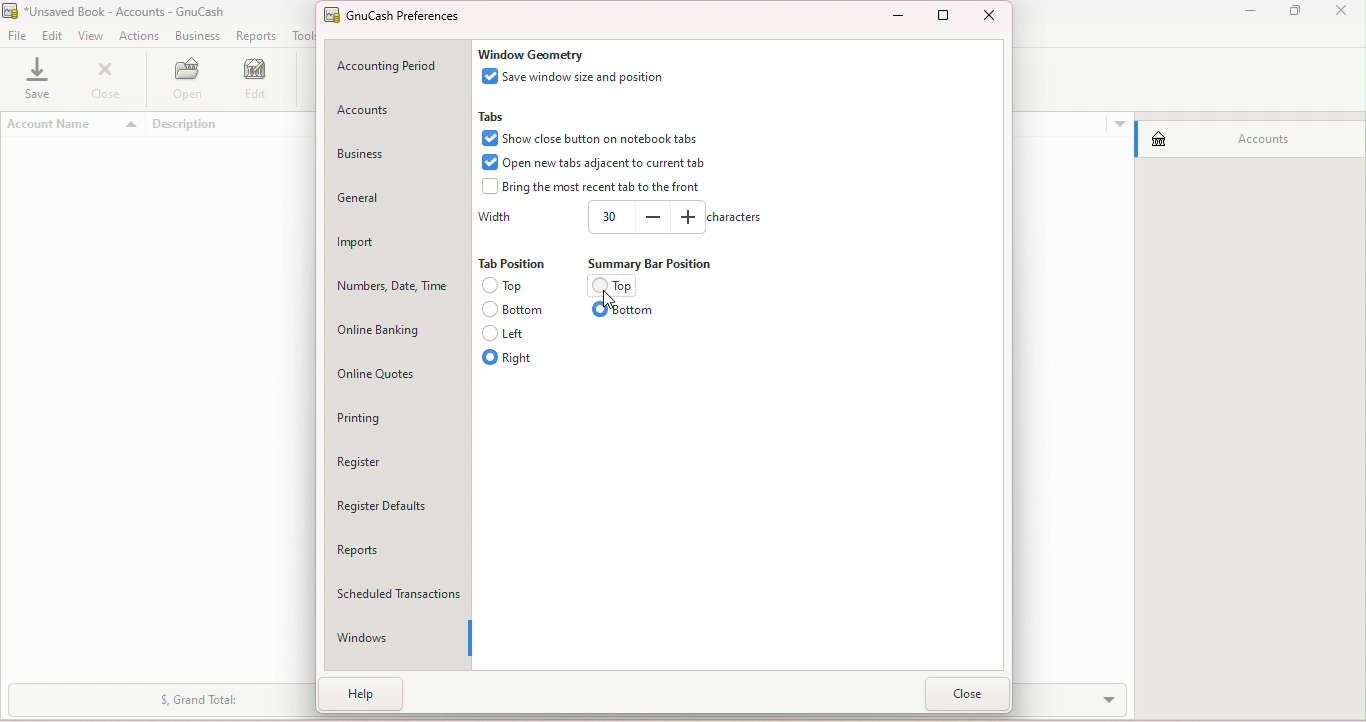  Describe the element at coordinates (605, 301) in the screenshot. I see `Cursor` at that location.